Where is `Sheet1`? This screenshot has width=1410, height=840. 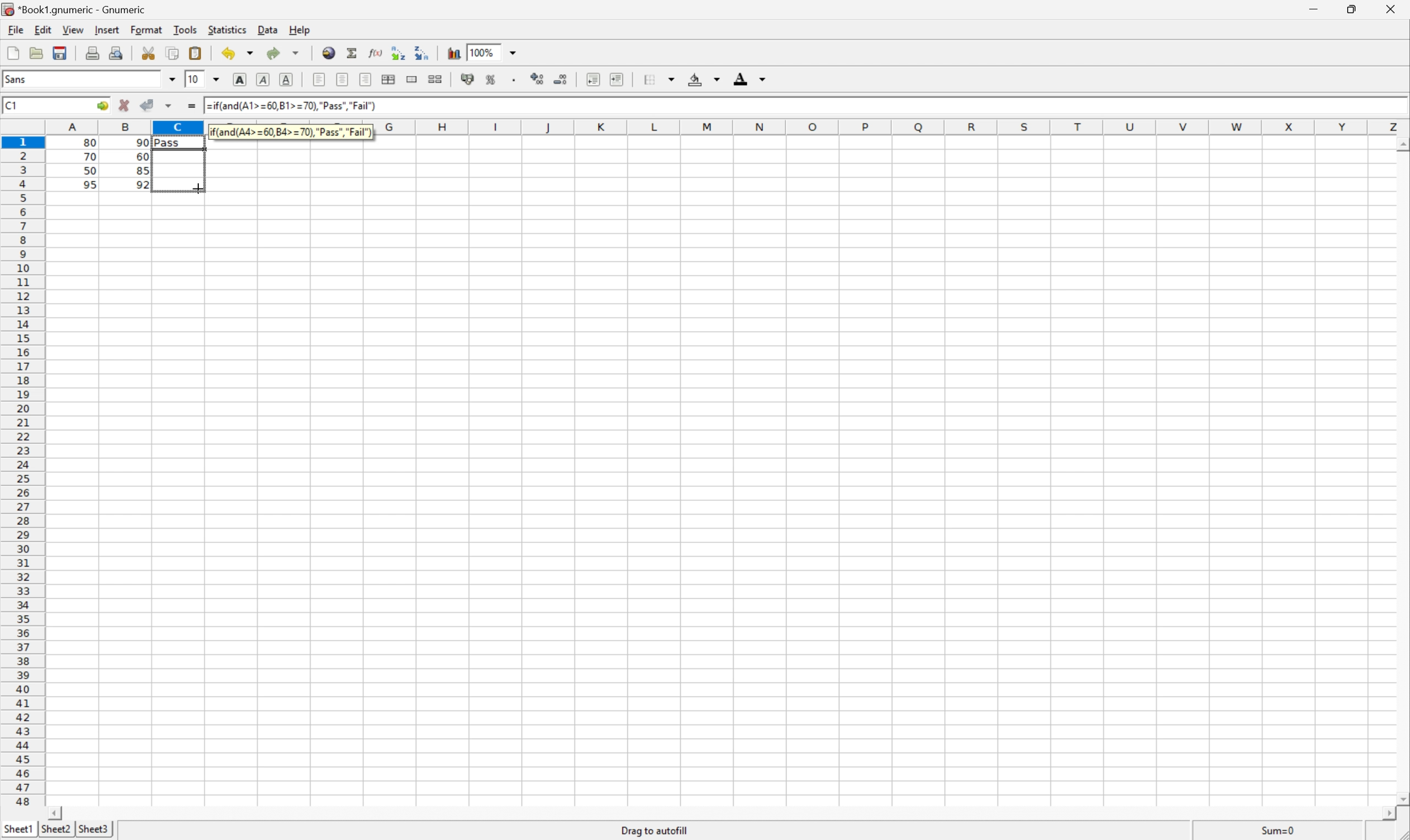 Sheet1 is located at coordinates (19, 828).